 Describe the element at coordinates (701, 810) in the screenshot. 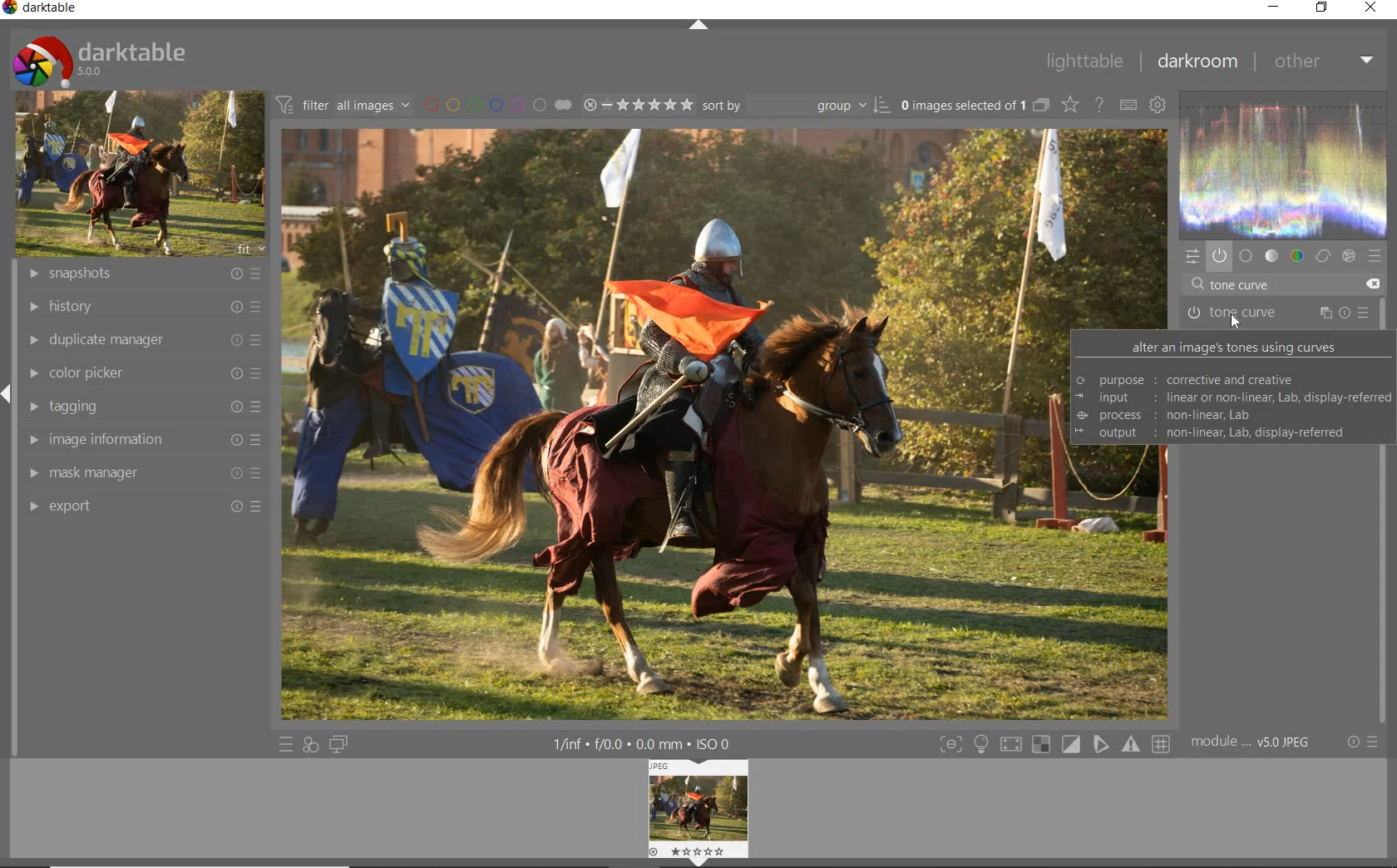

I see `Image preview` at that location.